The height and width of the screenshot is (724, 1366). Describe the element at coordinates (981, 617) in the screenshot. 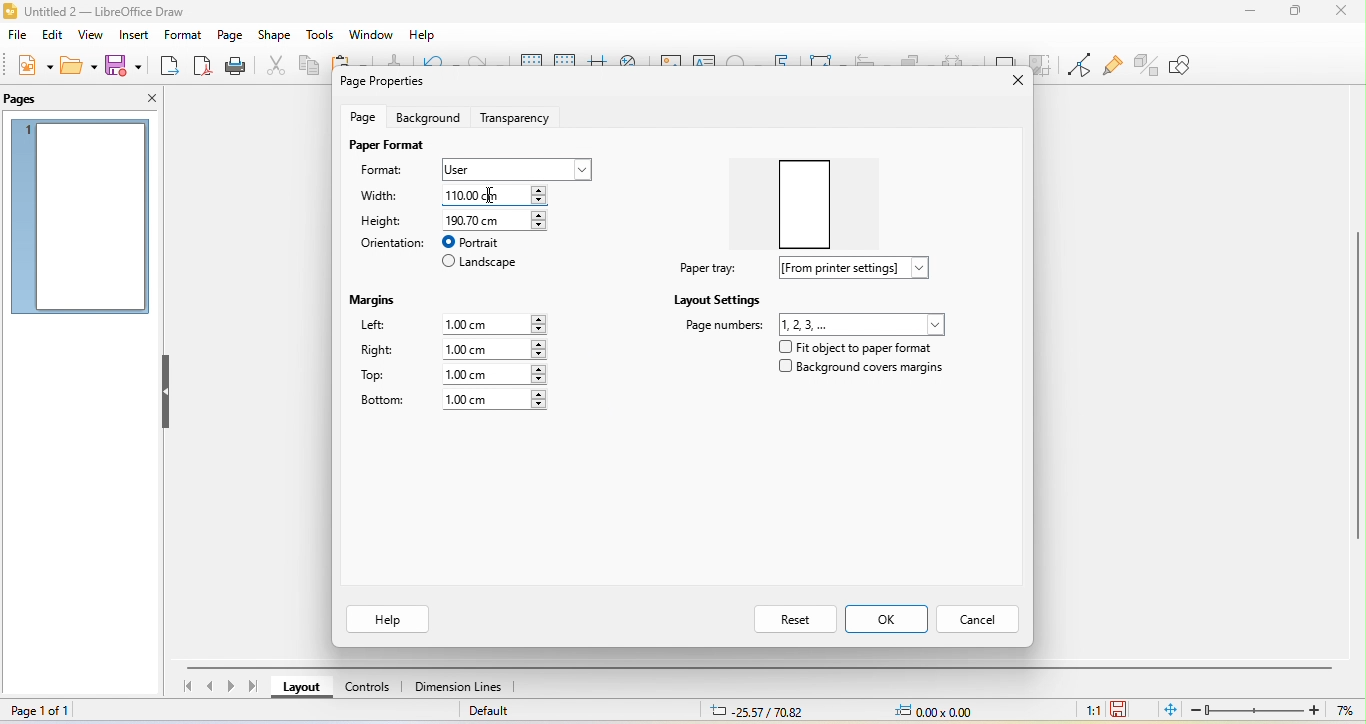

I see `cancel` at that location.